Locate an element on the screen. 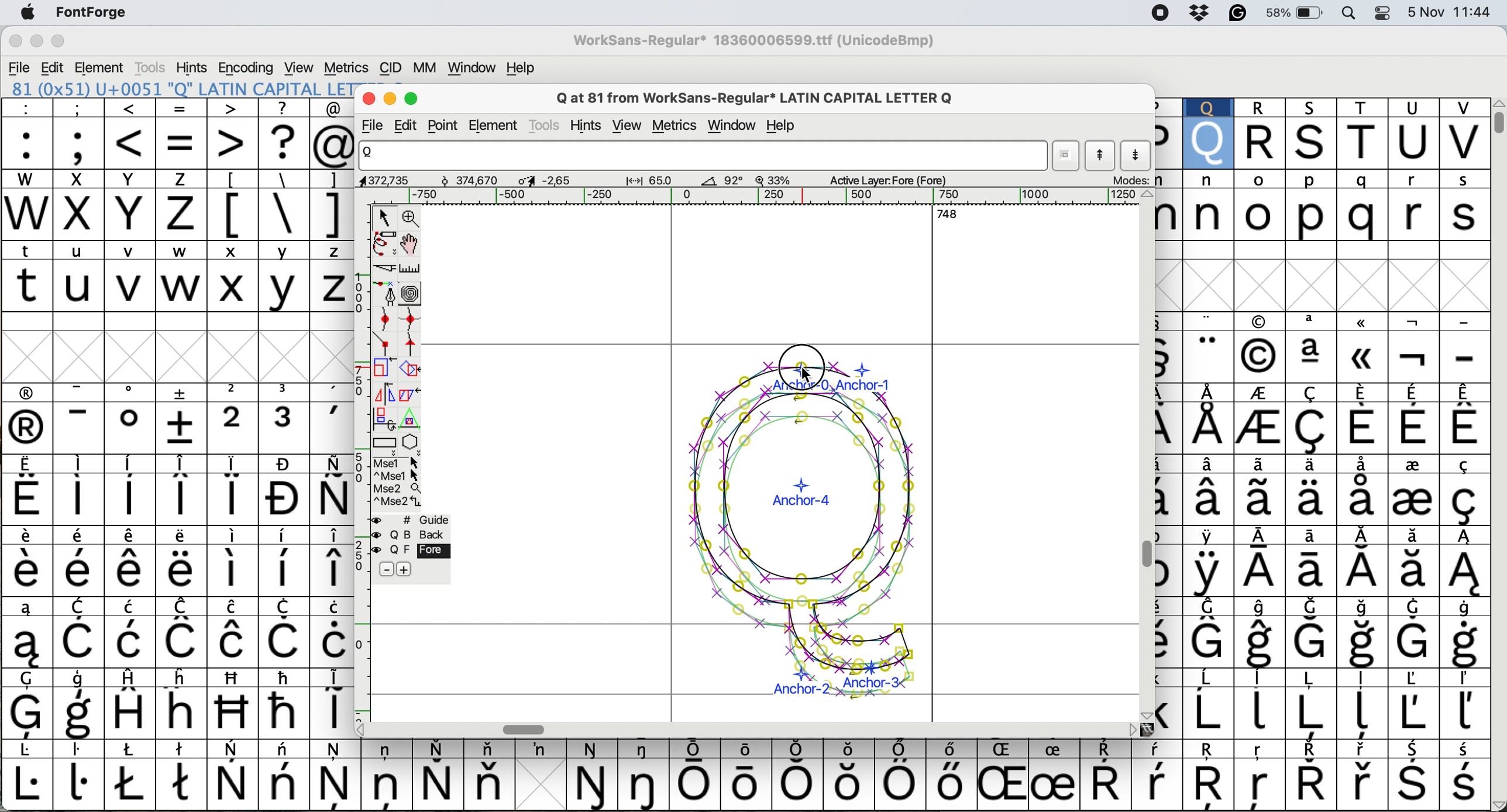 The height and width of the screenshot is (812, 1507). uppercase letters is located at coordinates (179, 290).